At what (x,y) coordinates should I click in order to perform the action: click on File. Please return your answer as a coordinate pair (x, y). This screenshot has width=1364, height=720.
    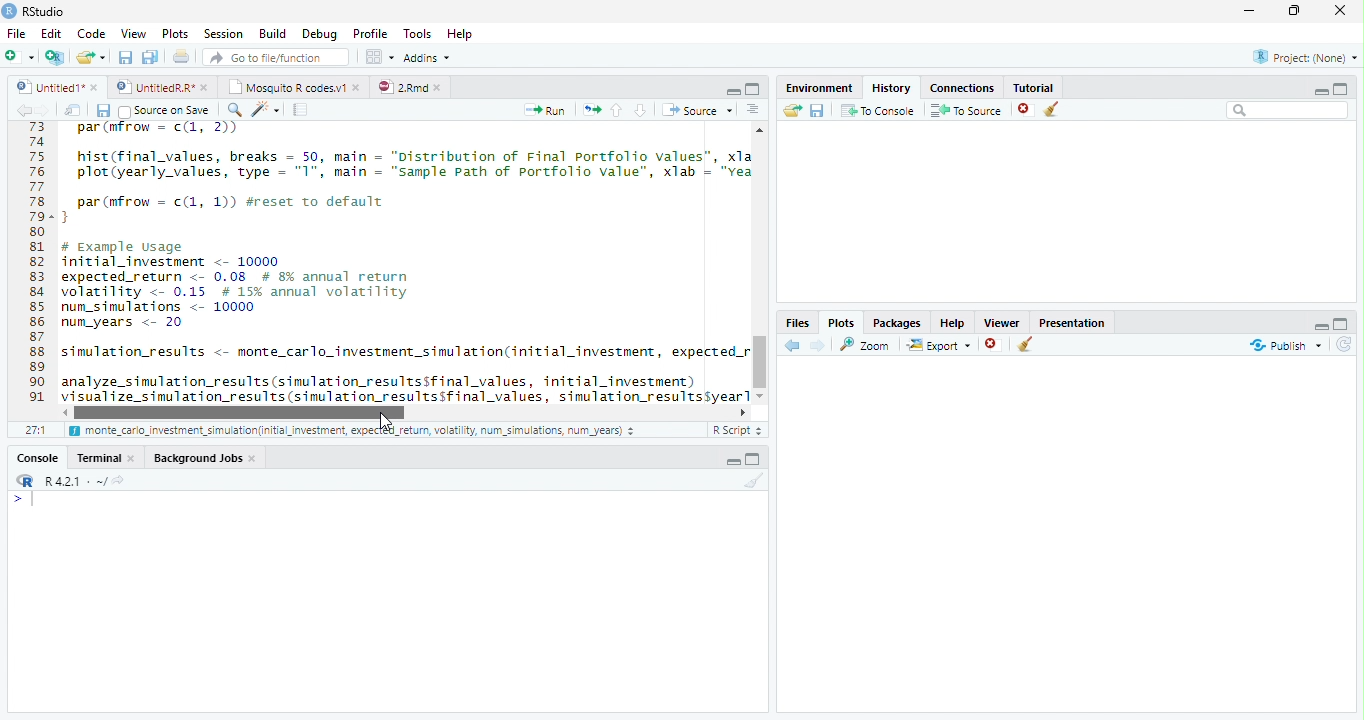
    Looking at the image, I should click on (15, 33).